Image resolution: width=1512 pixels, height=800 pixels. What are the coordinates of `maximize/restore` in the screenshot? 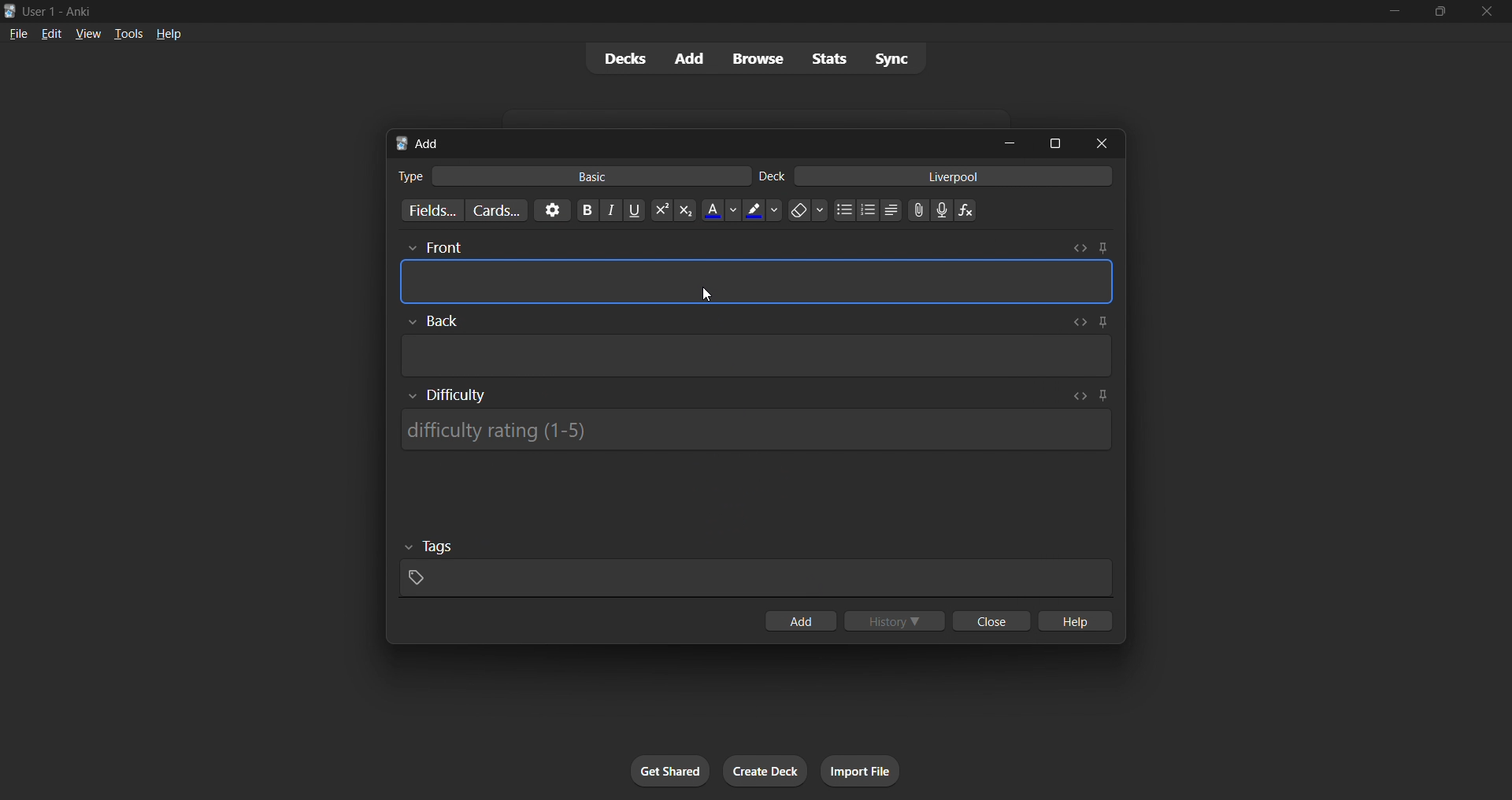 It's located at (1440, 12).